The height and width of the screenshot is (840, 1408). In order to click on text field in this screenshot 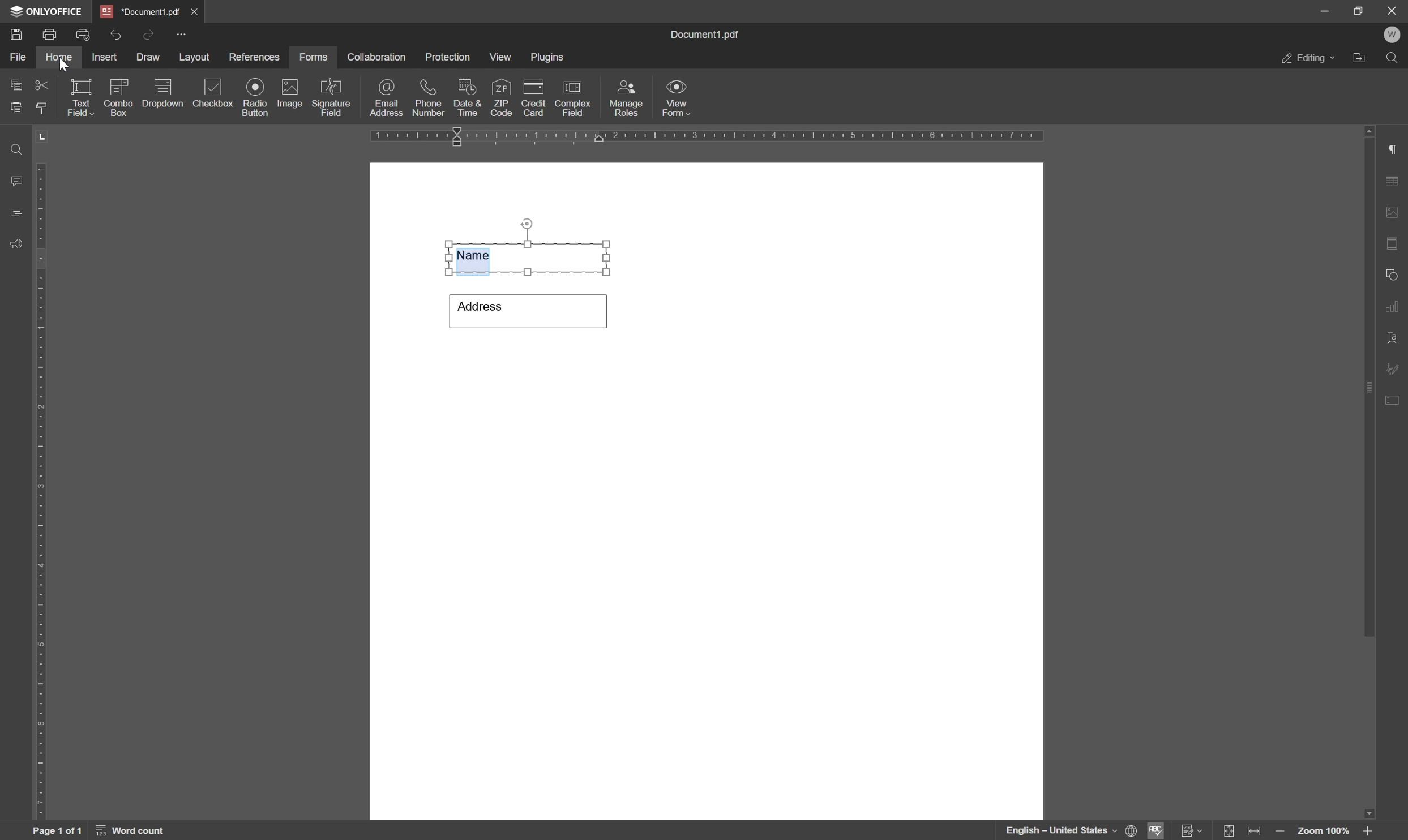, I will do `click(80, 96)`.